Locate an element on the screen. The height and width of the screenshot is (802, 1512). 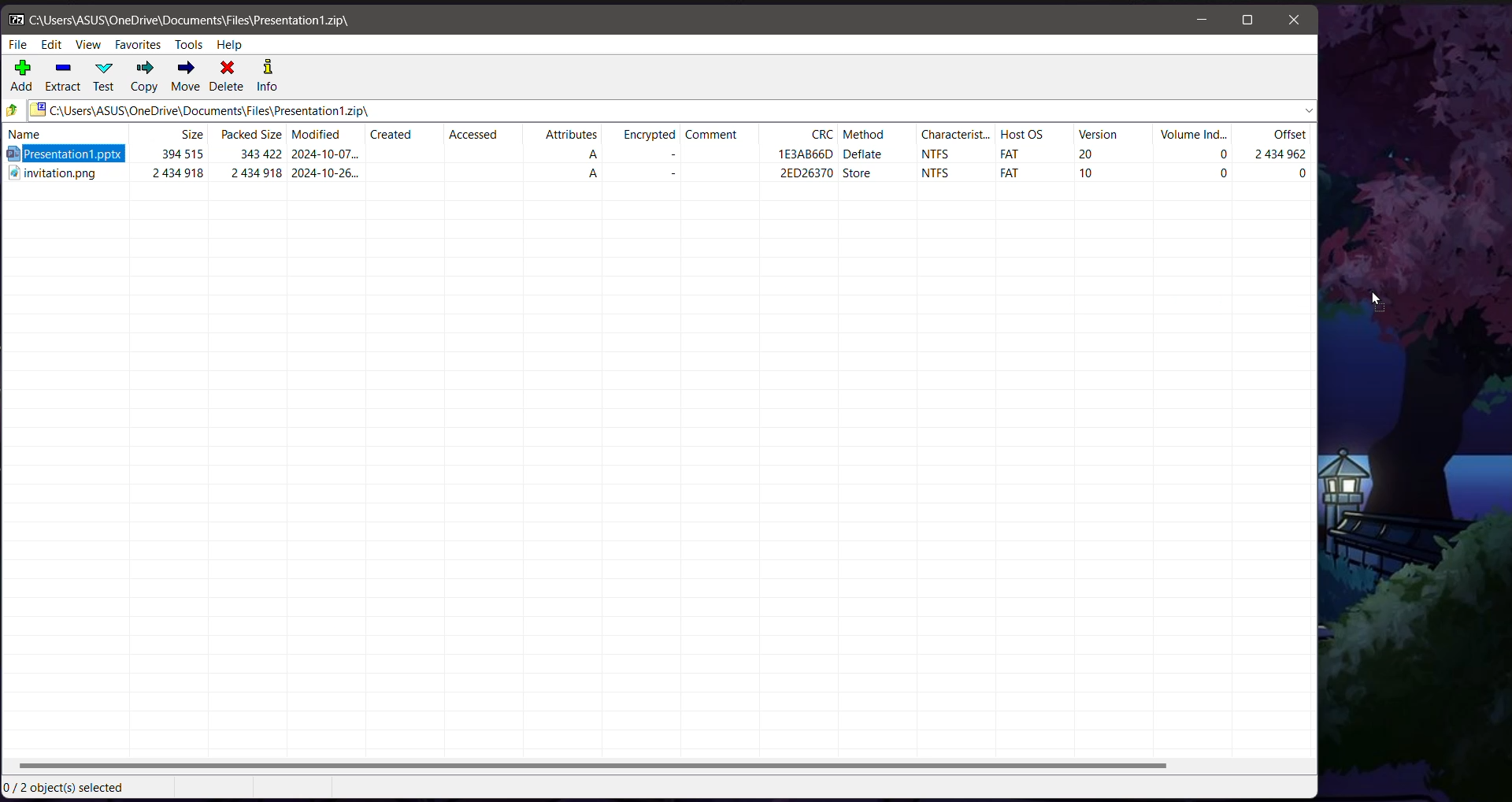
size is located at coordinates (193, 136).